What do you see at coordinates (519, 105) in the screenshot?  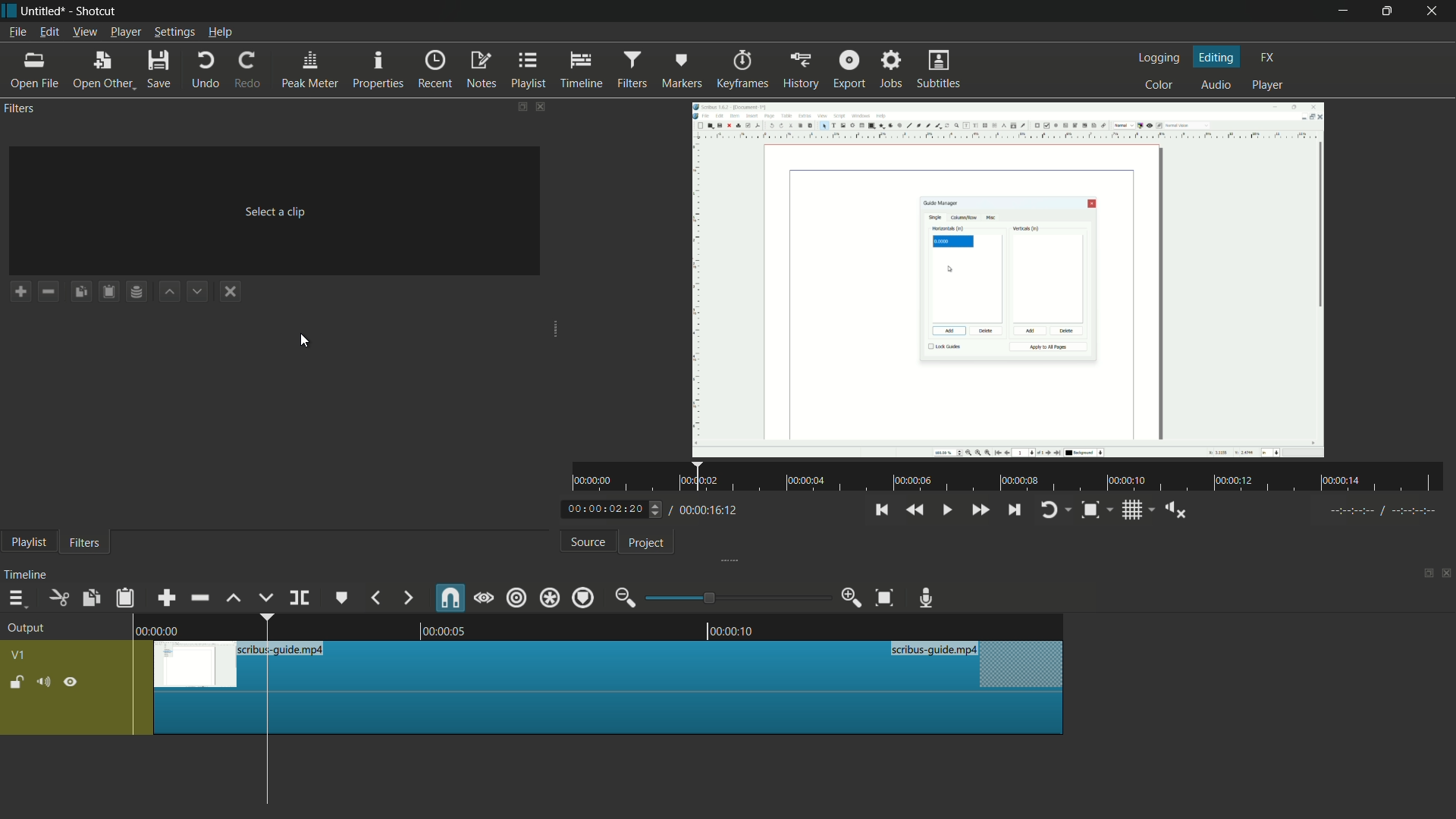 I see `change layout` at bounding box center [519, 105].